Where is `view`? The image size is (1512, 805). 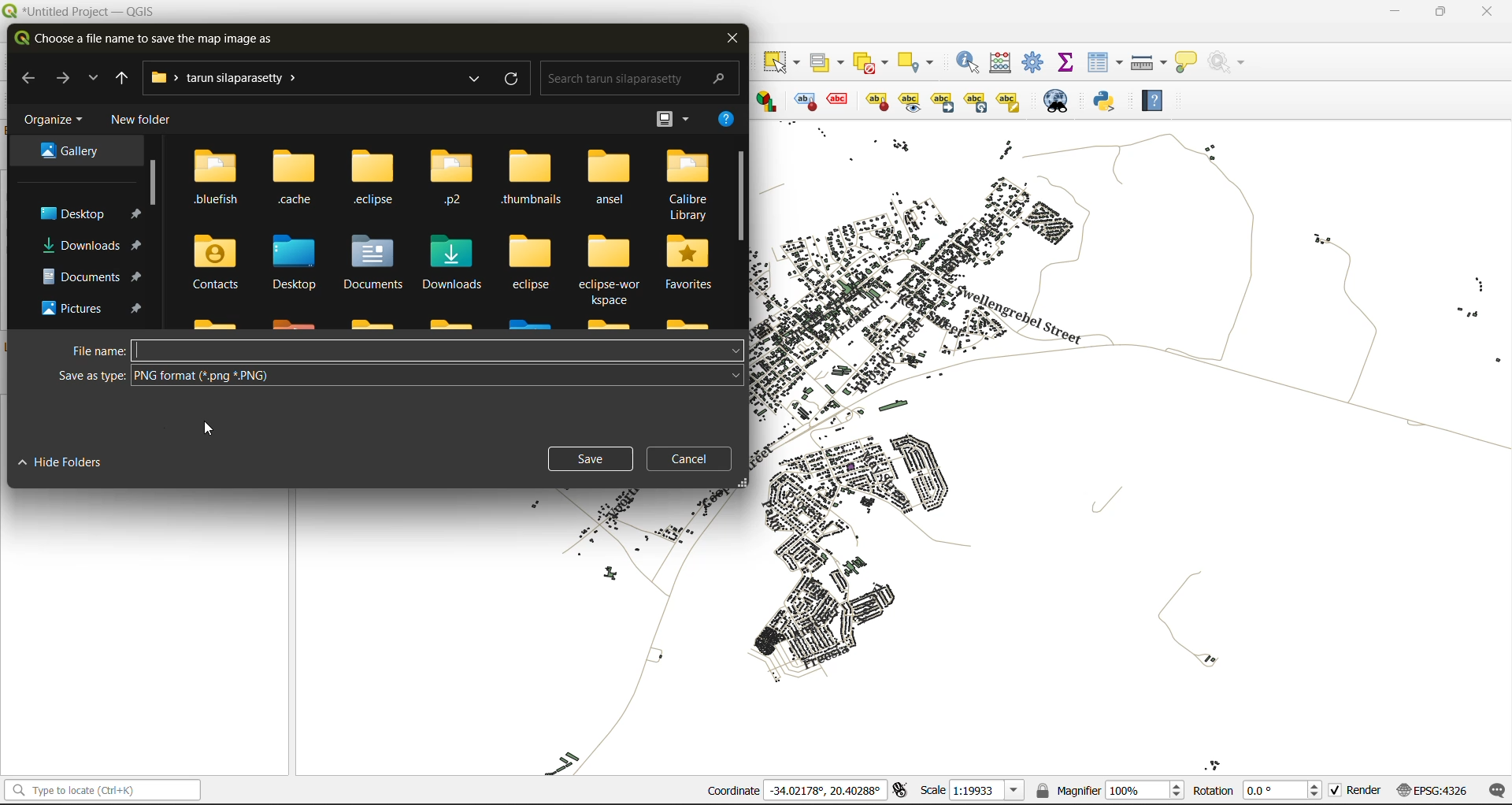 view is located at coordinates (673, 117).